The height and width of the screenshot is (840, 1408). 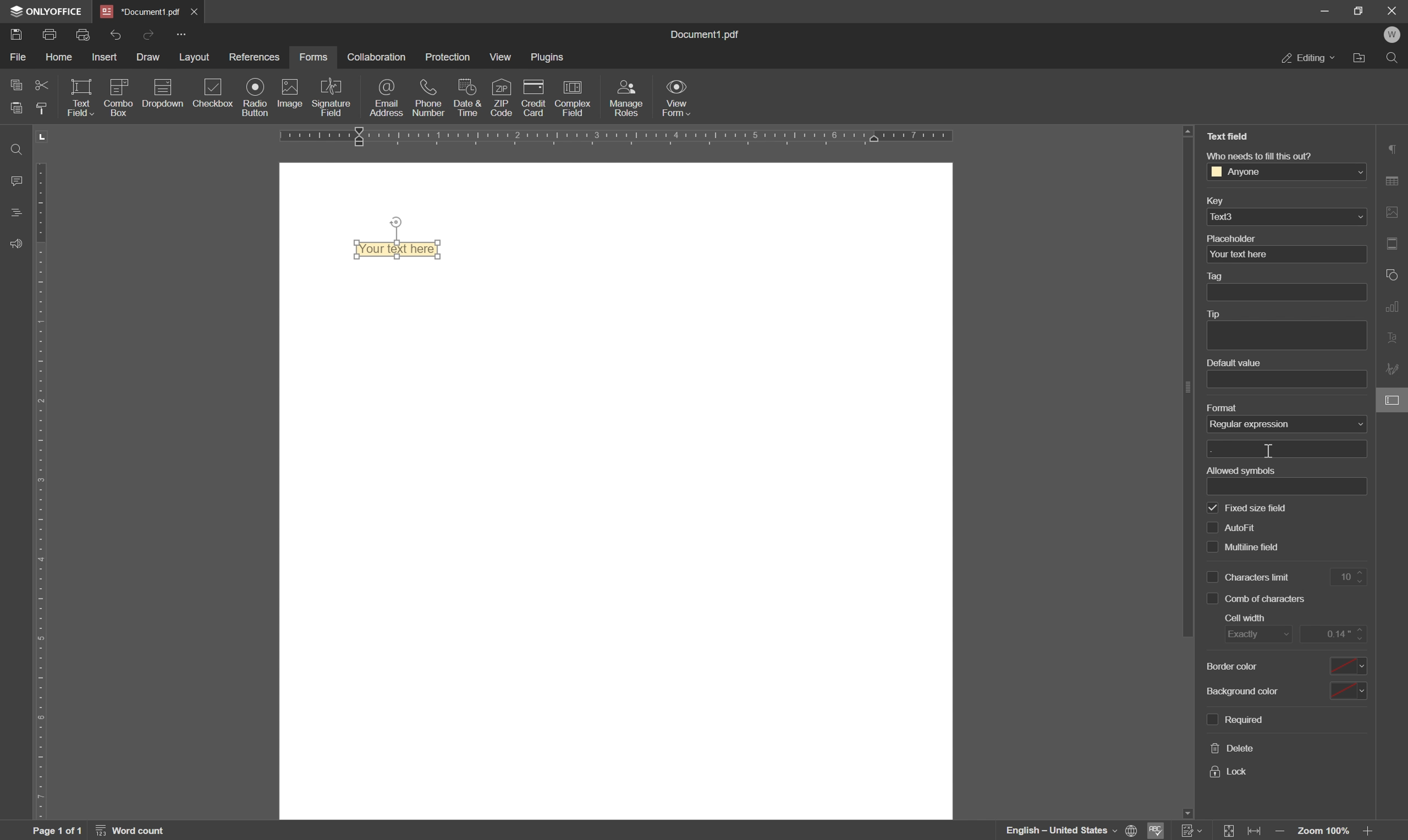 What do you see at coordinates (1243, 172) in the screenshot?
I see `anyone` at bounding box center [1243, 172].